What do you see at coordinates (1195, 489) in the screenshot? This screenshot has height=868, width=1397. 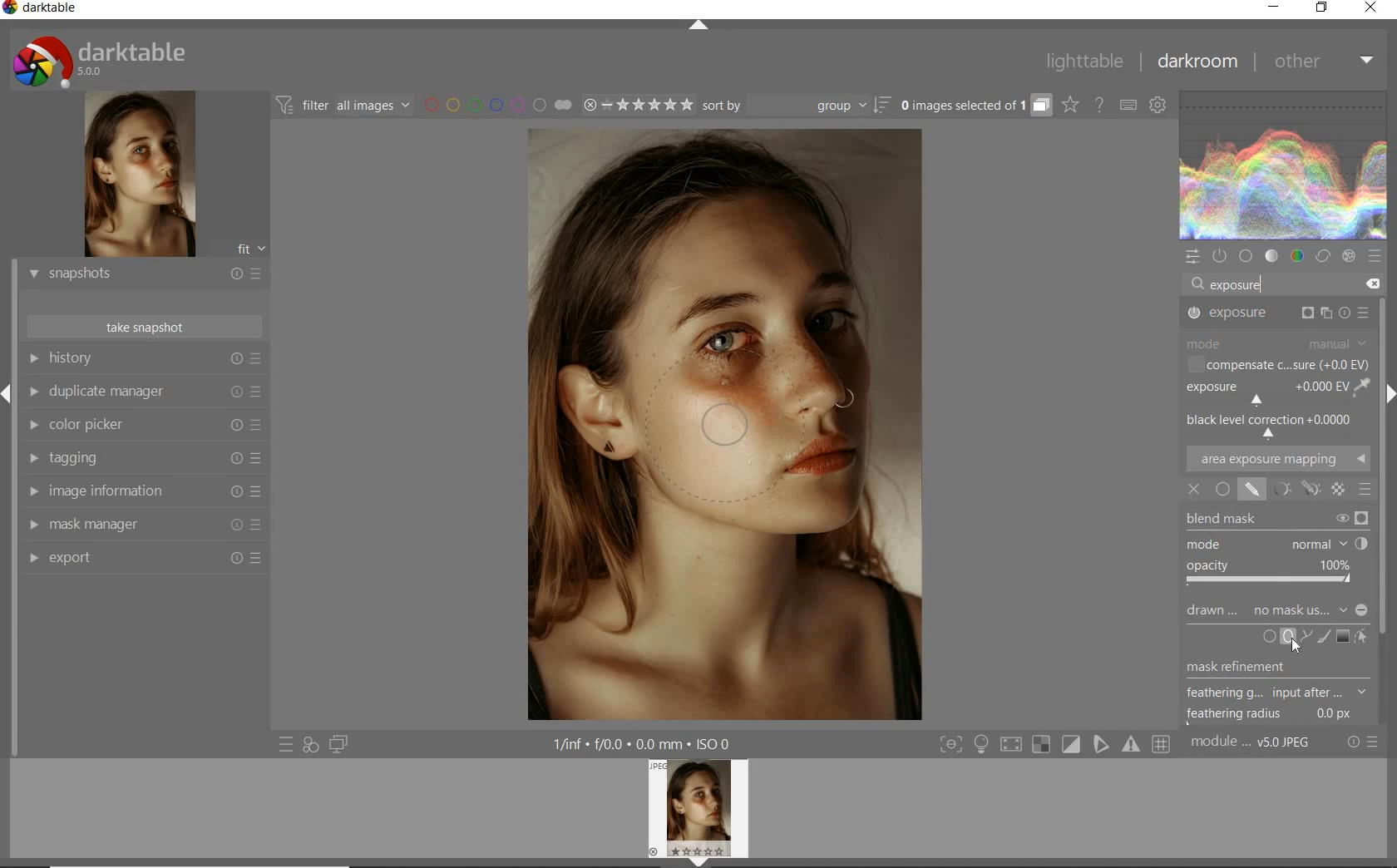 I see `OFF` at bounding box center [1195, 489].